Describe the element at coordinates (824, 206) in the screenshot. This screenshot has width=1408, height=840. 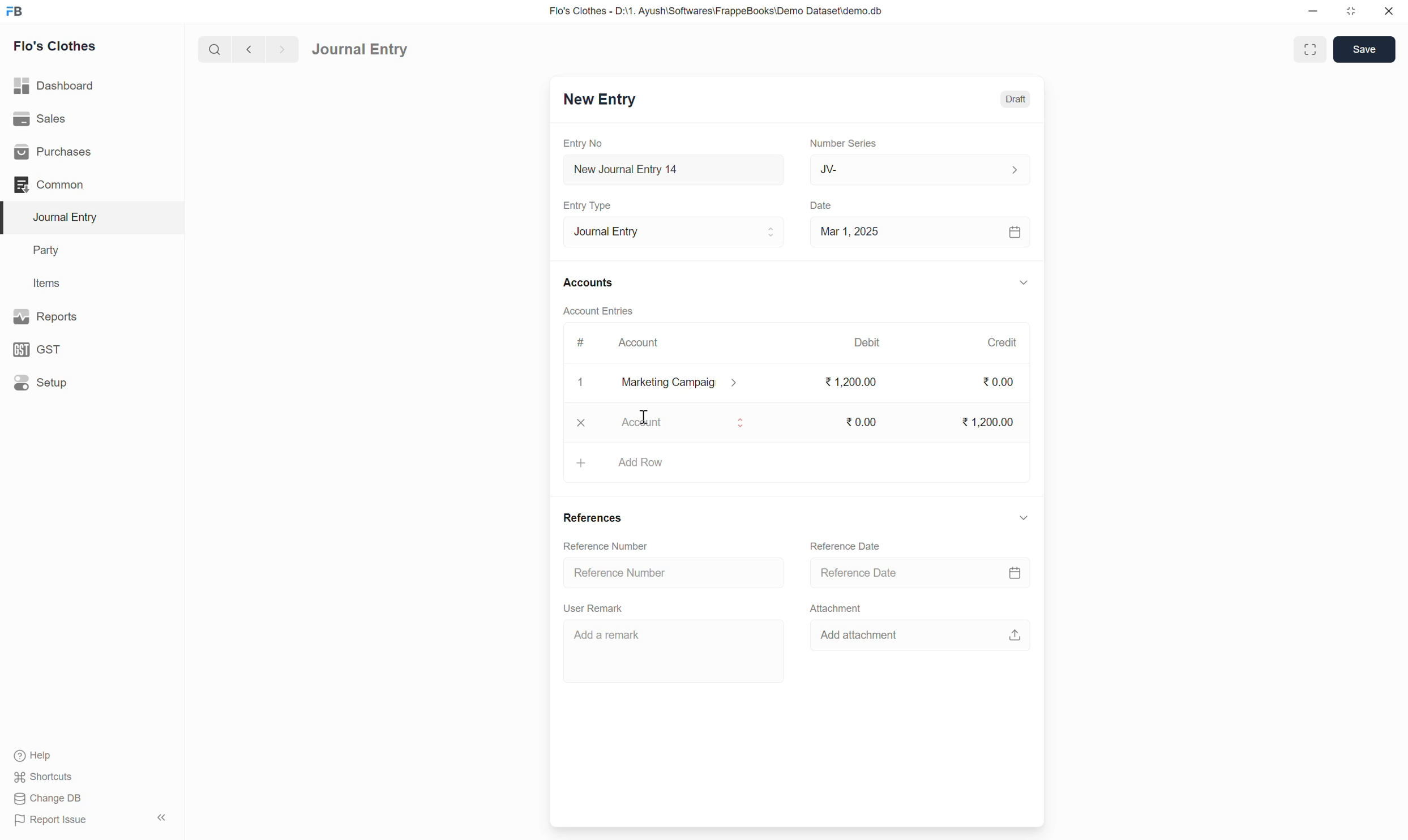
I see `Date` at that location.